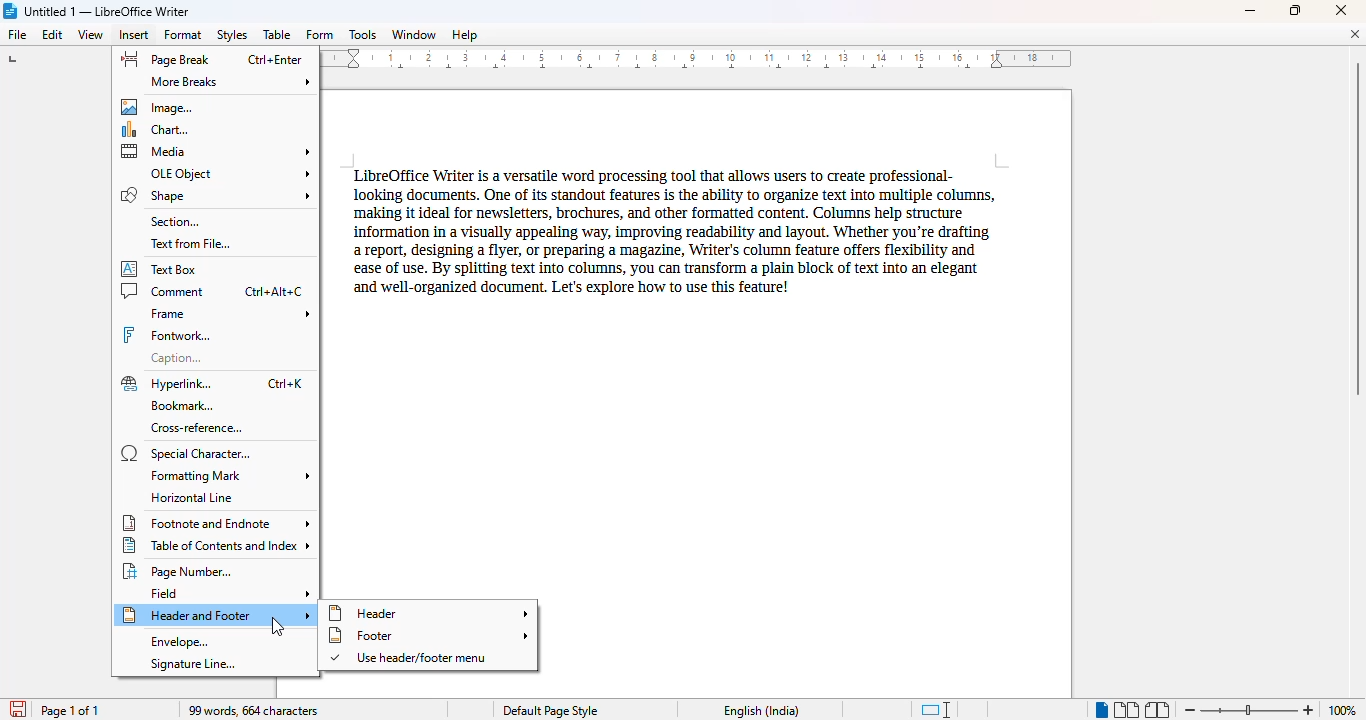  Describe the element at coordinates (175, 221) in the screenshot. I see `section` at that location.